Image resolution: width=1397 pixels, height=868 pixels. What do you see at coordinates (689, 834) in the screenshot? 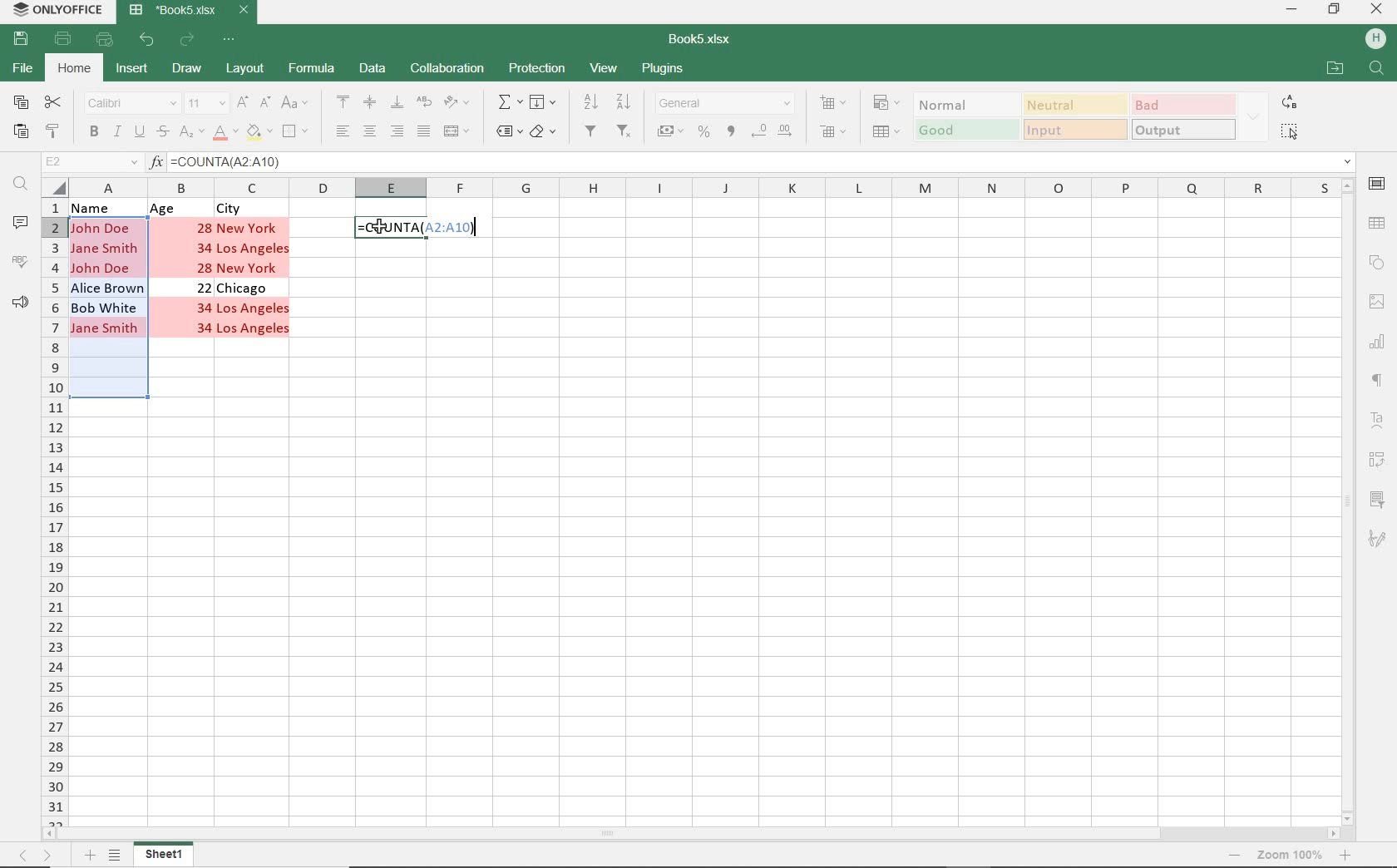
I see `SCROLLBAR` at bounding box center [689, 834].